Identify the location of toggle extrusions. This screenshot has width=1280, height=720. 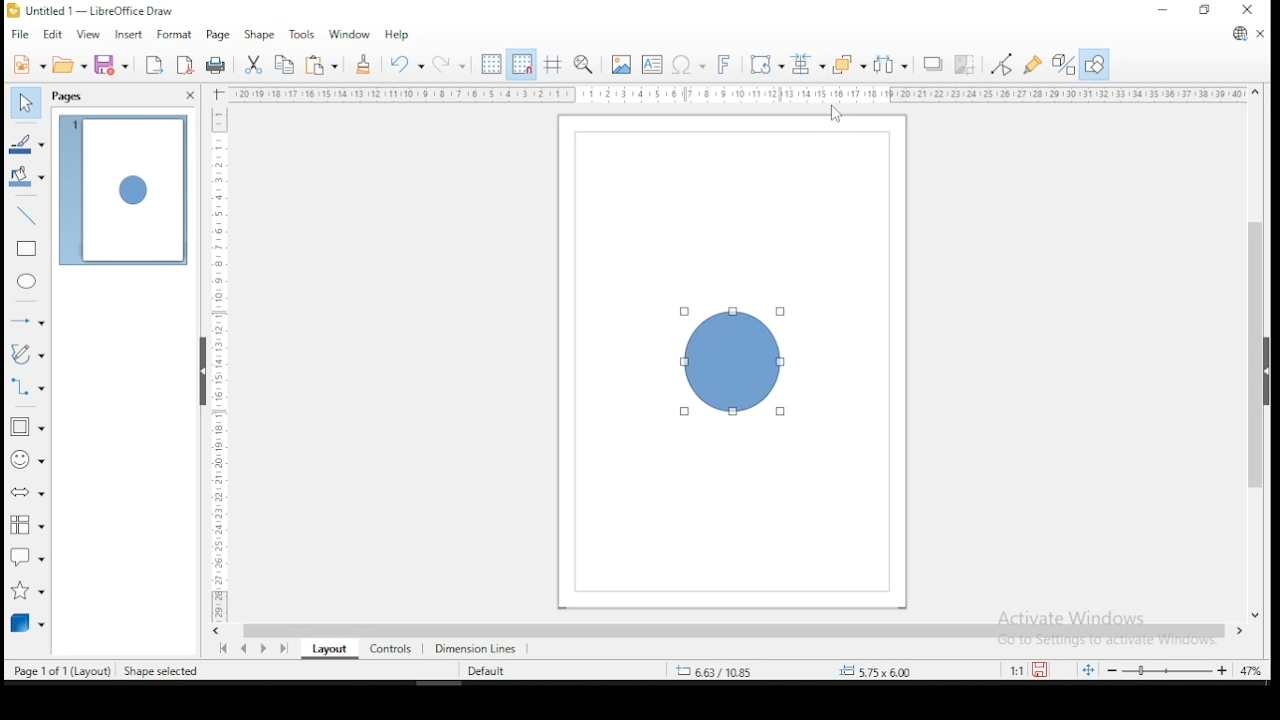
(1064, 66).